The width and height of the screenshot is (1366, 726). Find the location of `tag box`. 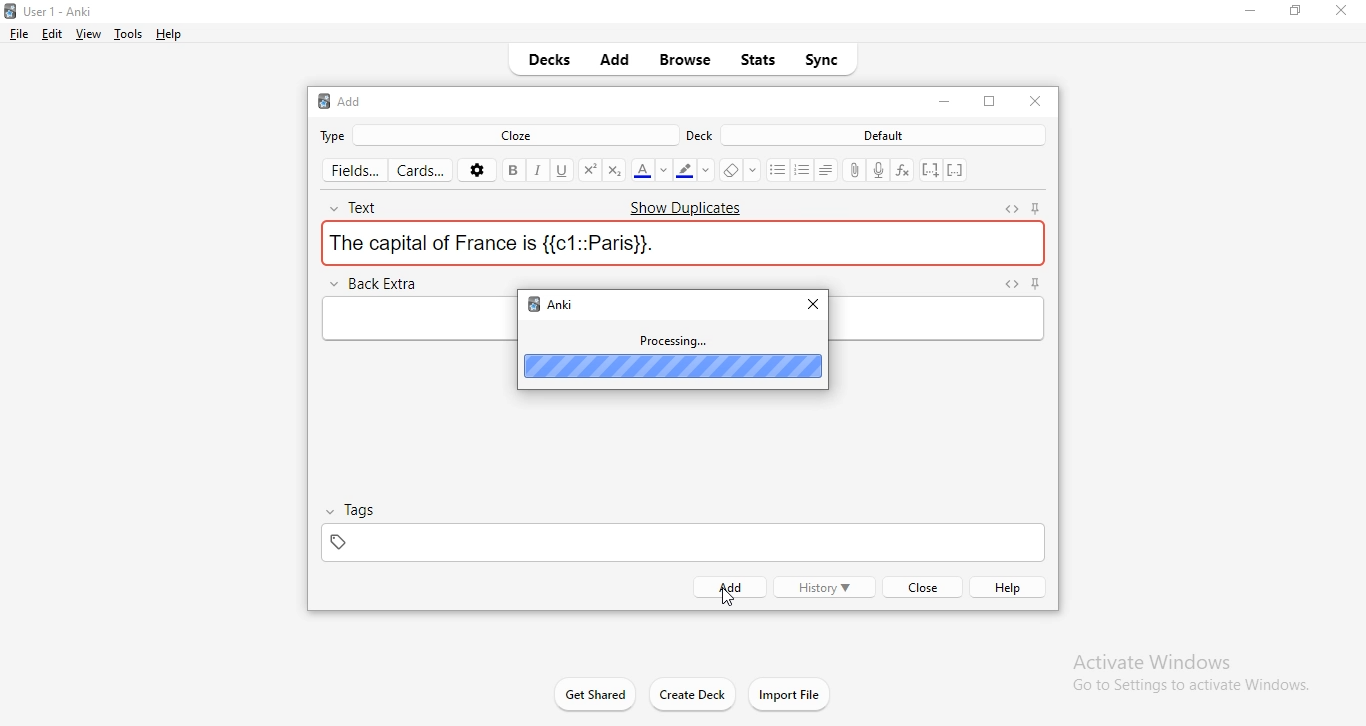

tag box is located at coordinates (678, 541).